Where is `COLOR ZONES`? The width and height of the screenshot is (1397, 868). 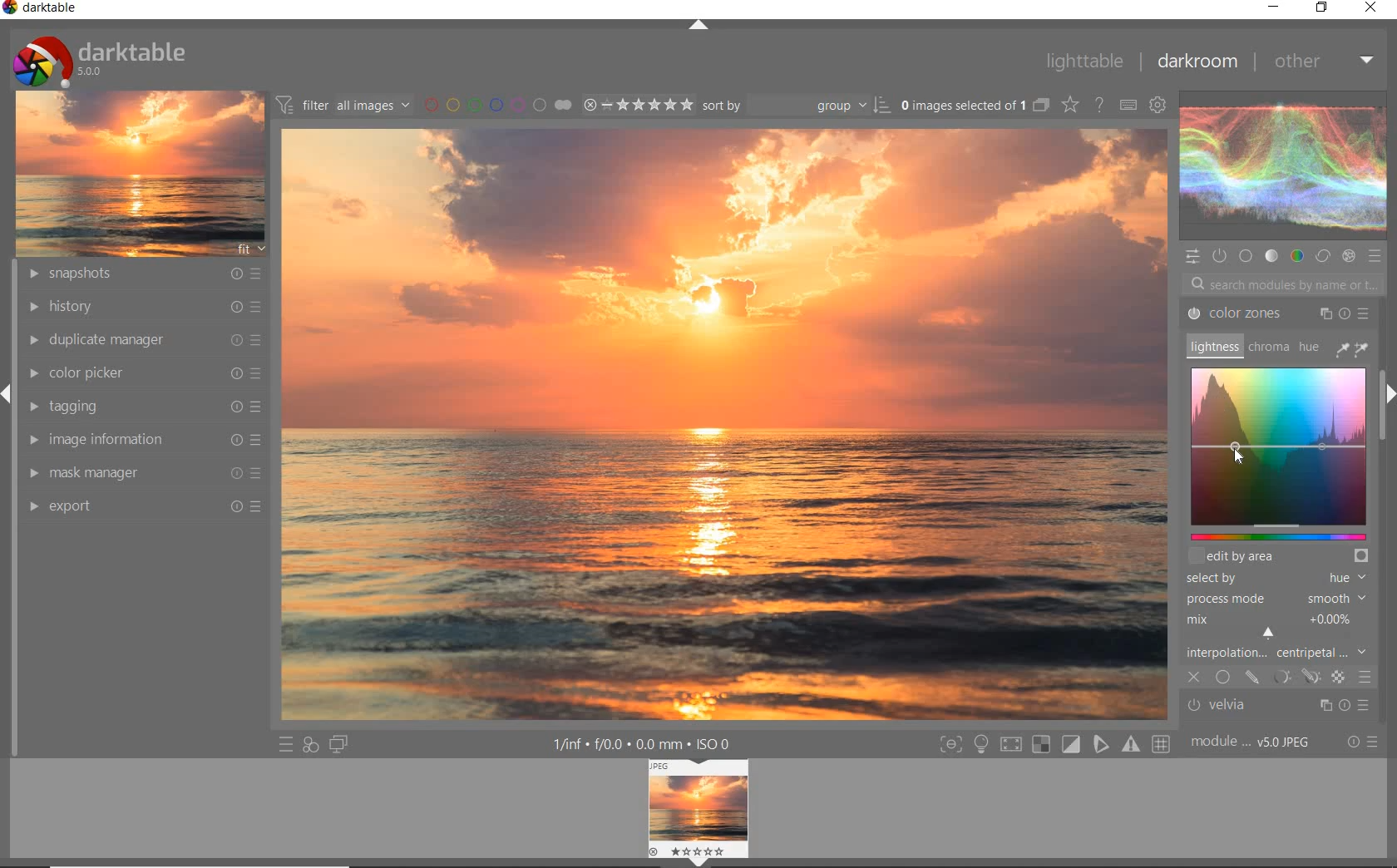 COLOR ZONES is located at coordinates (1278, 313).